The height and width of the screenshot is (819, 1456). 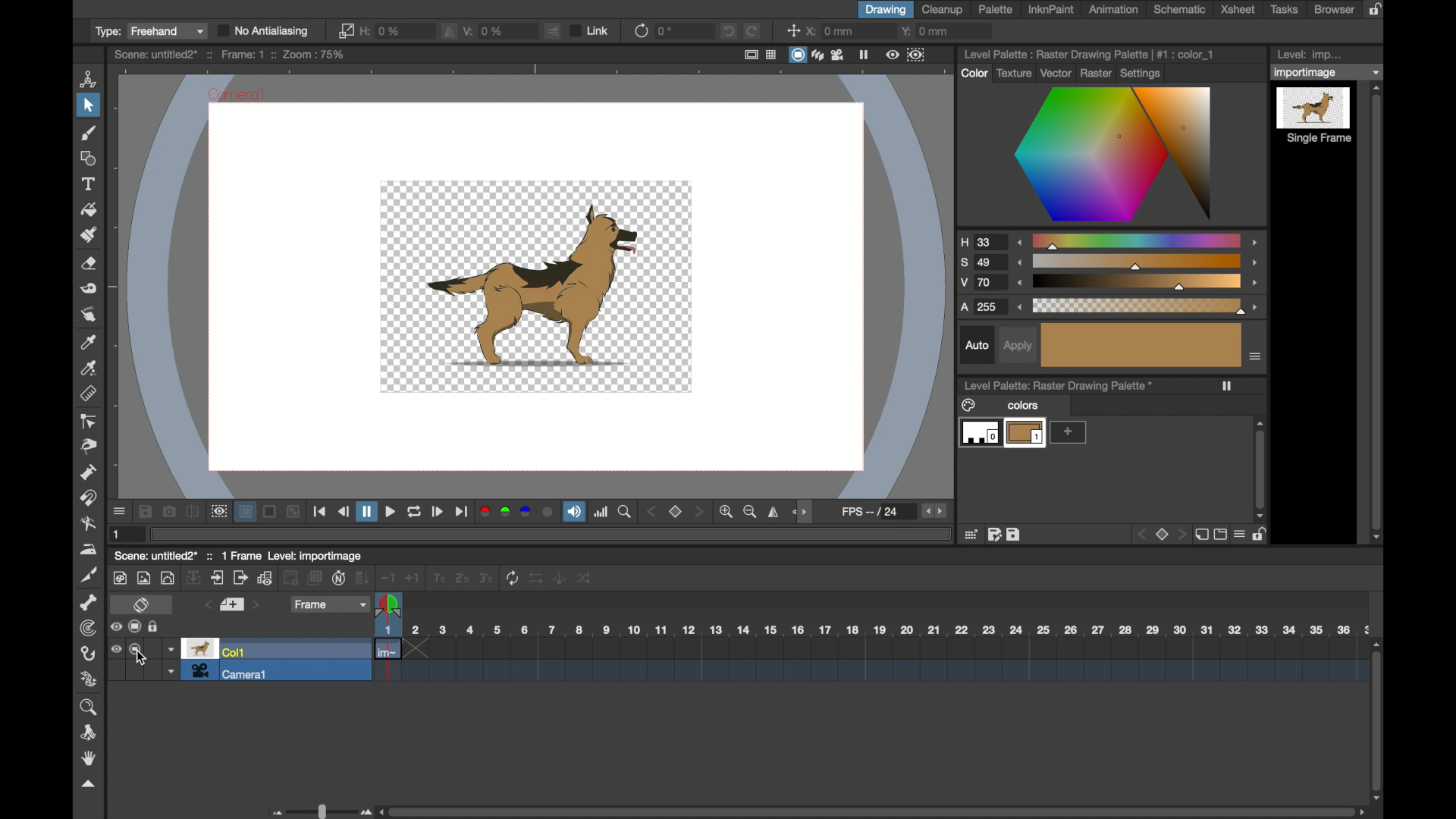 I want to click on back, so click(x=1139, y=535).